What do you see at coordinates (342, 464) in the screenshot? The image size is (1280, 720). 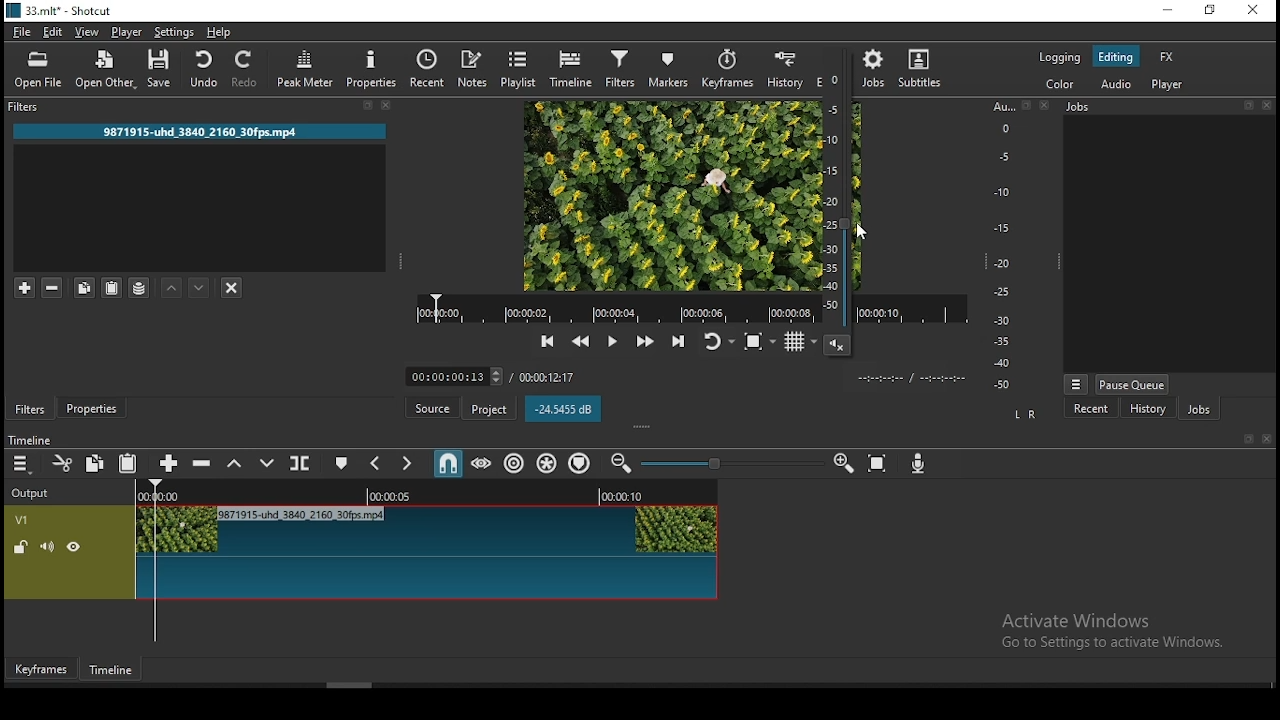 I see `create/edit marker` at bounding box center [342, 464].